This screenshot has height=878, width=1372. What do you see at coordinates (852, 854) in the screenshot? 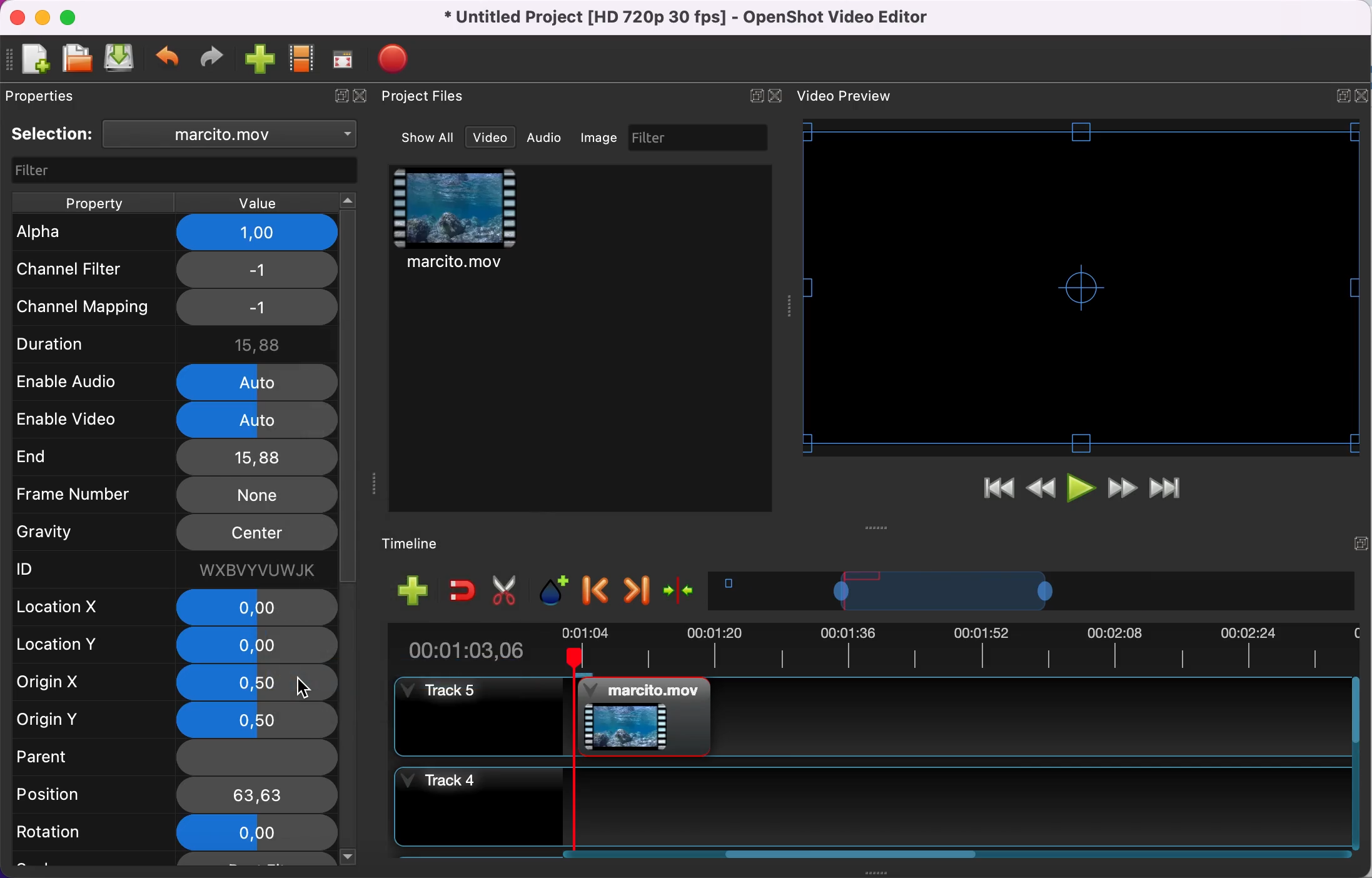
I see `Horizontal slide bar` at bounding box center [852, 854].